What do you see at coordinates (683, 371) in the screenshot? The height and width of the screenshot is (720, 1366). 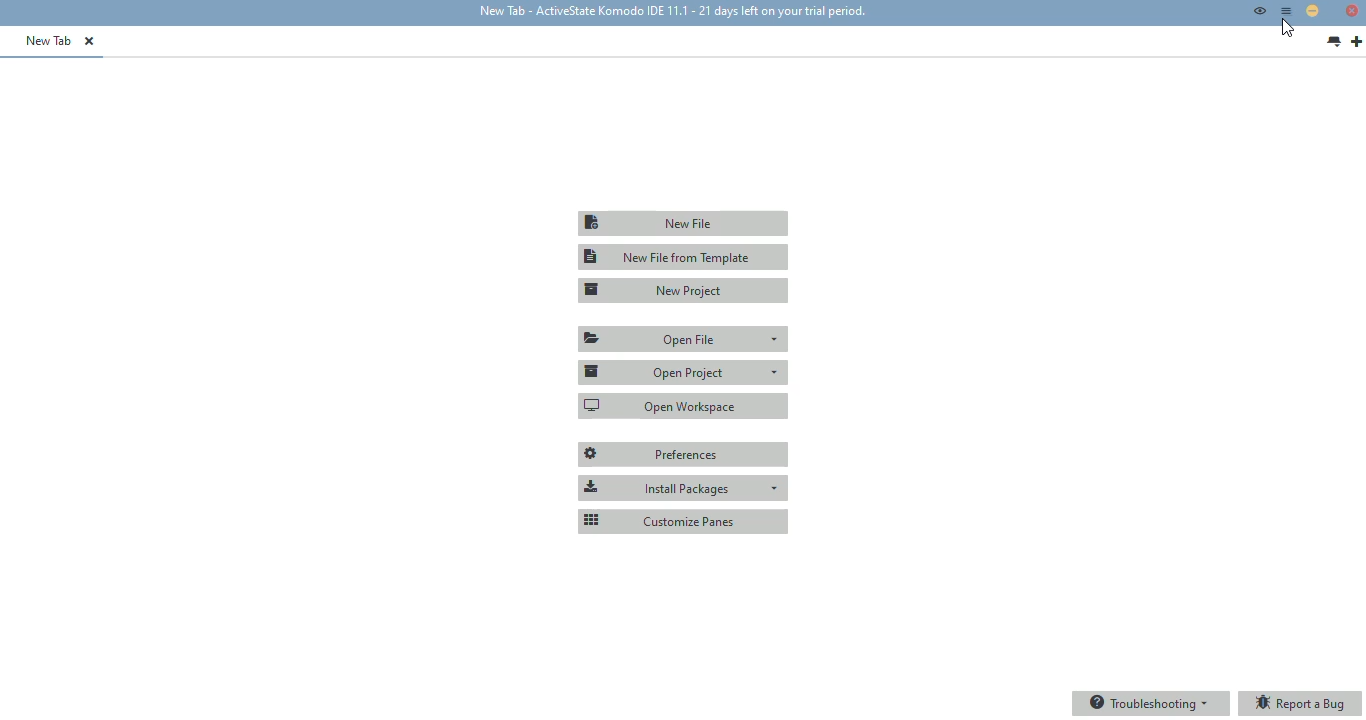 I see `open project` at bounding box center [683, 371].